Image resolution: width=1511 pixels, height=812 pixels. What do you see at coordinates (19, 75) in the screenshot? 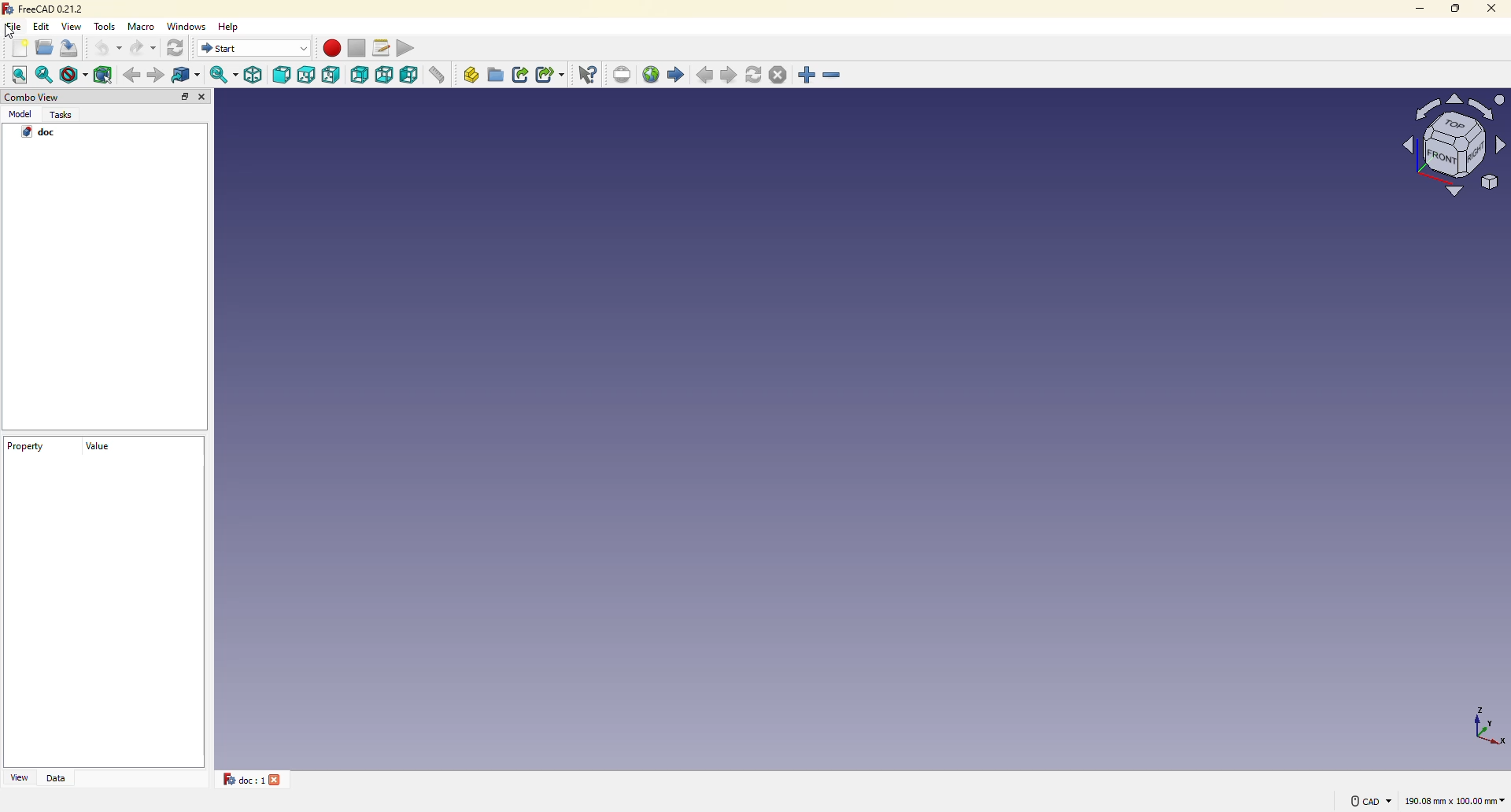
I see `fit all` at bounding box center [19, 75].